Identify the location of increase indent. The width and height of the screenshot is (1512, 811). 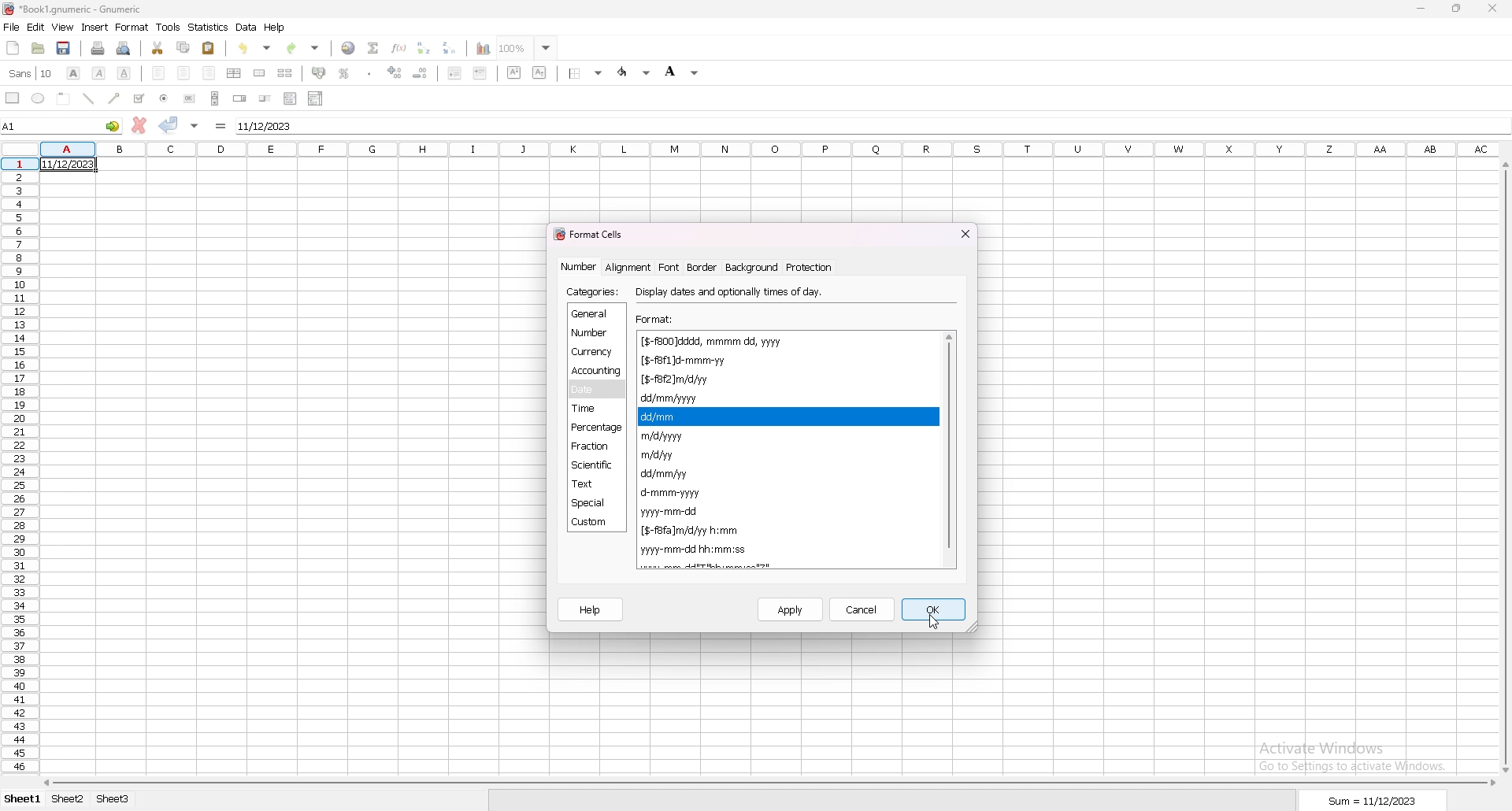
(481, 73).